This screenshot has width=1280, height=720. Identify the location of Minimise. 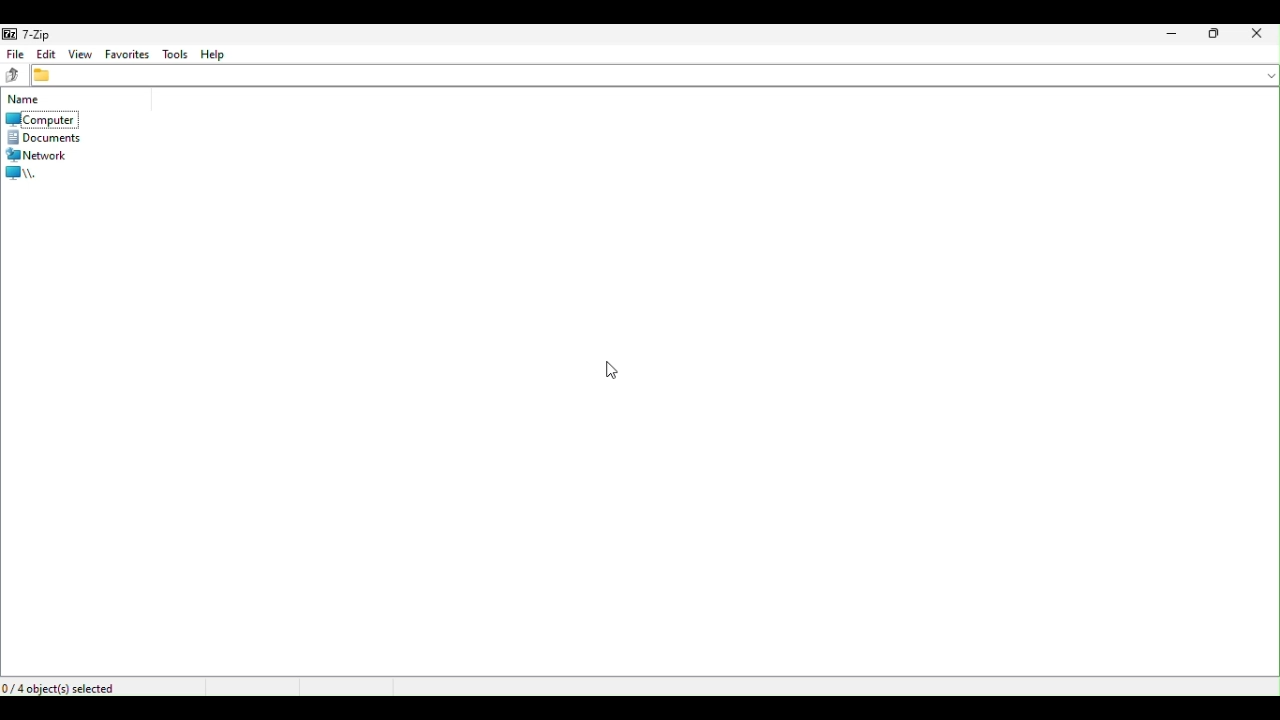
(1171, 36).